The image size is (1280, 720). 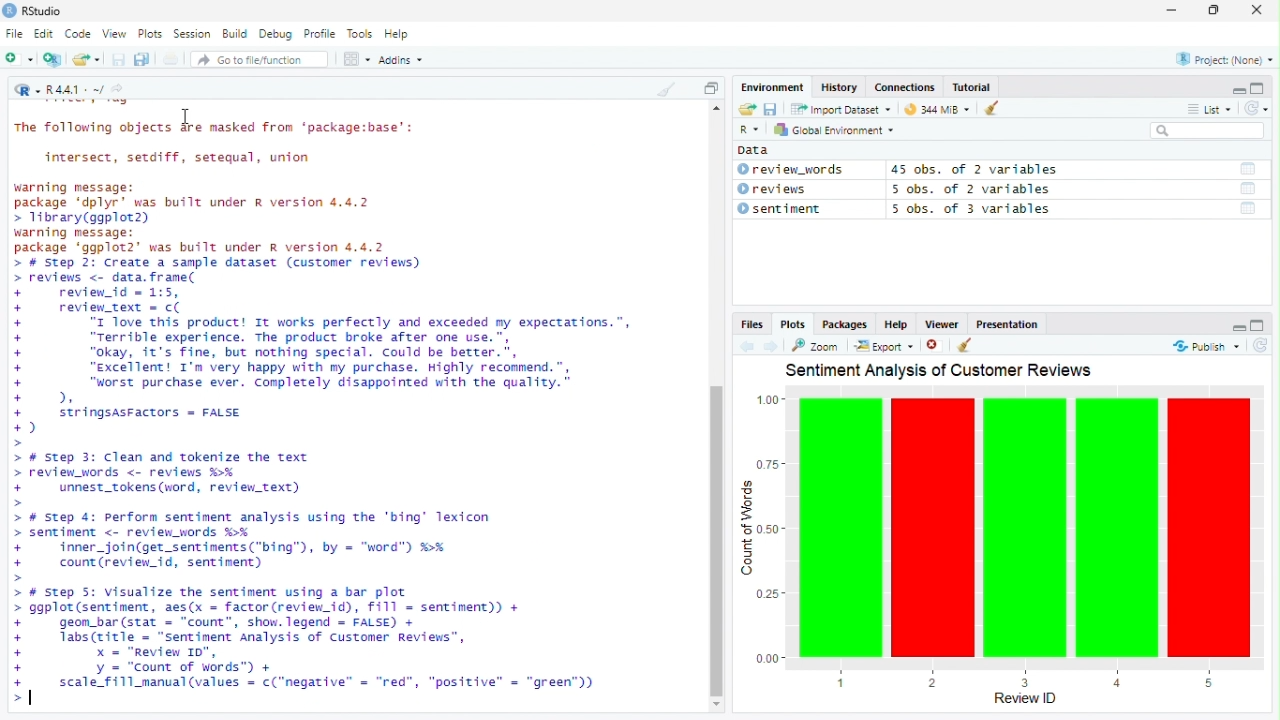 What do you see at coordinates (1007, 325) in the screenshot?
I see `Presentation` at bounding box center [1007, 325].